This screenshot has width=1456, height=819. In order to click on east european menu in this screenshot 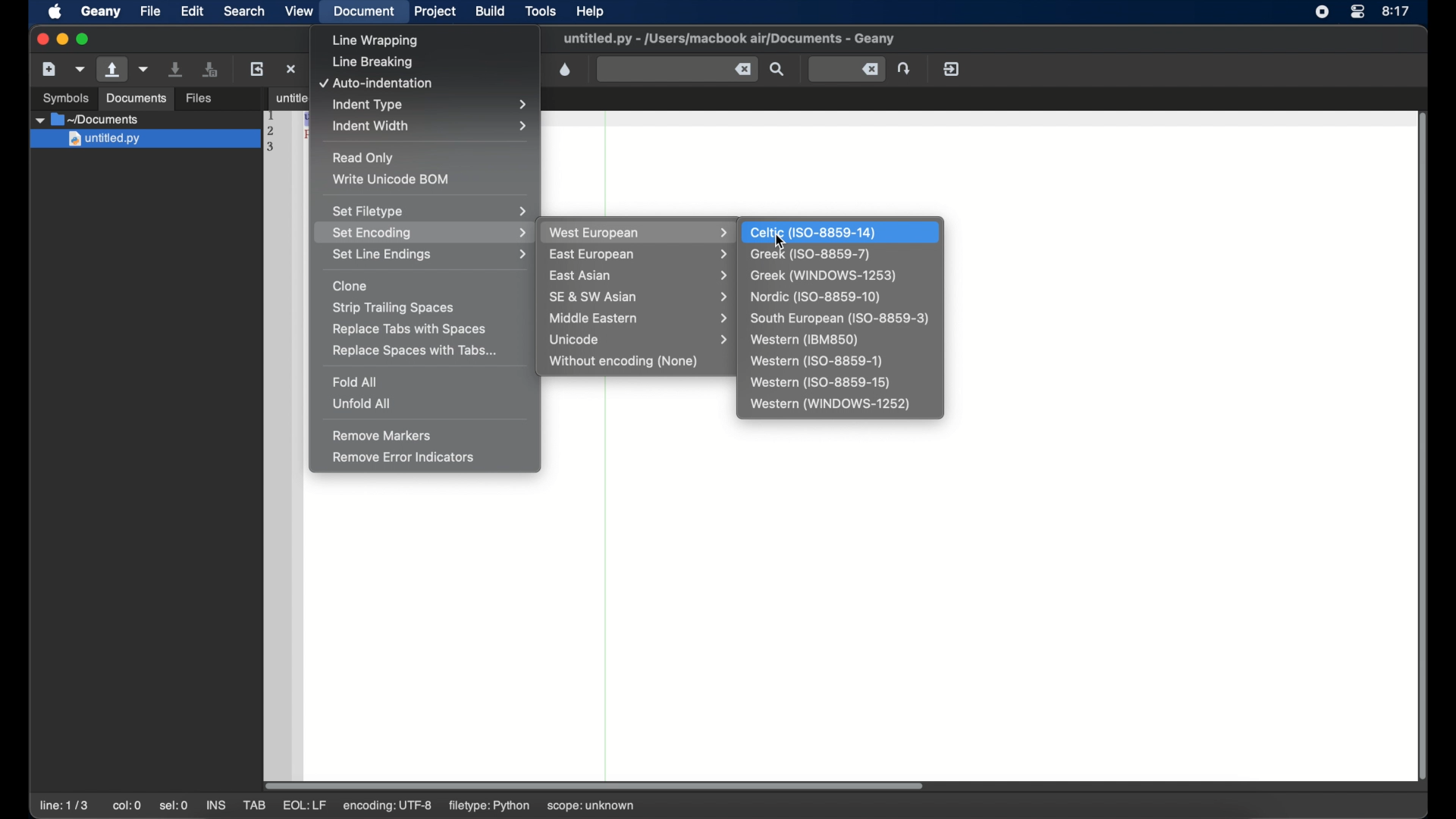, I will do `click(640, 256)`.